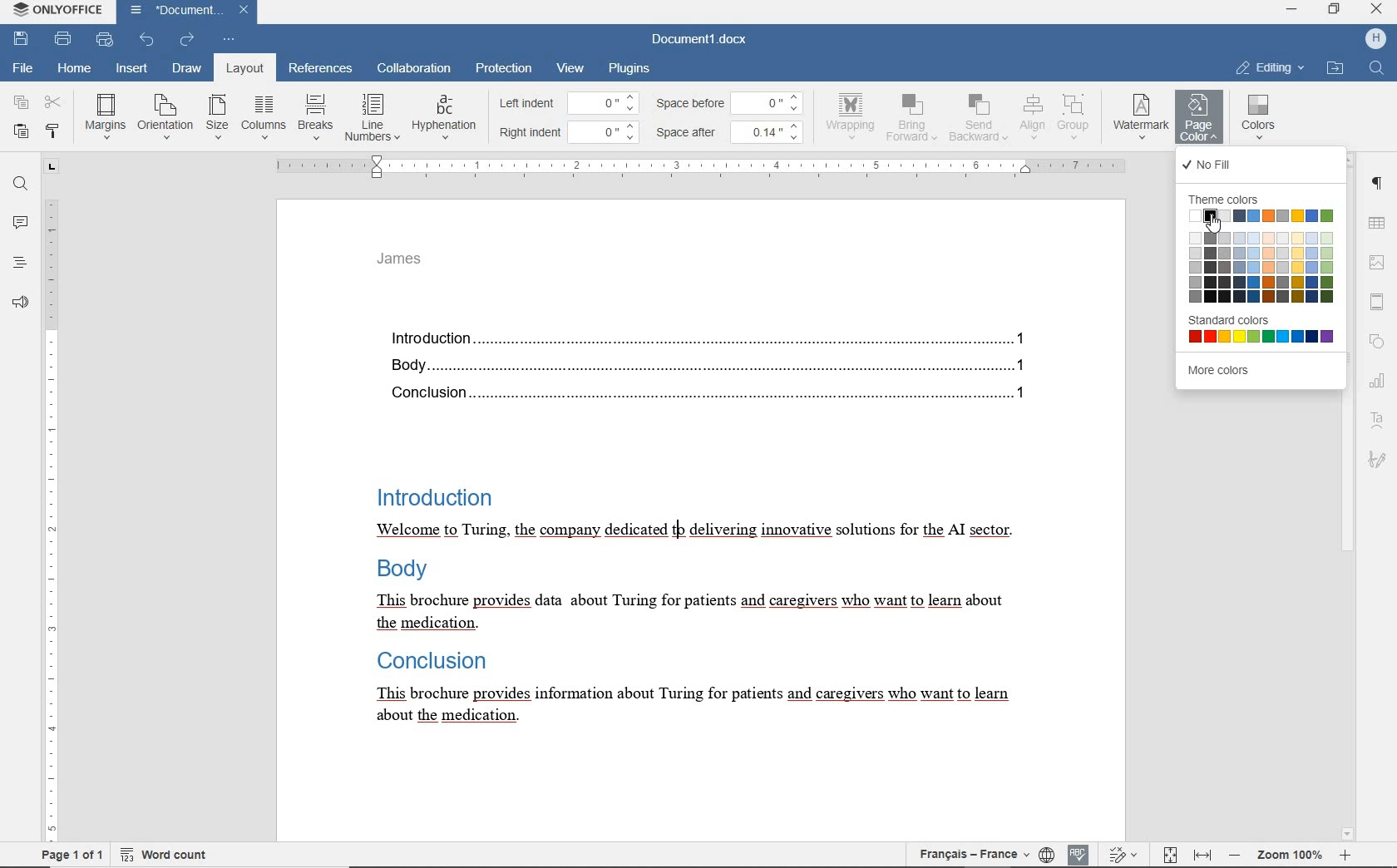 The width and height of the screenshot is (1397, 868). What do you see at coordinates (1203, 855) in the screenshot?
I see `fit to width` at bounding box center [1203, 855].